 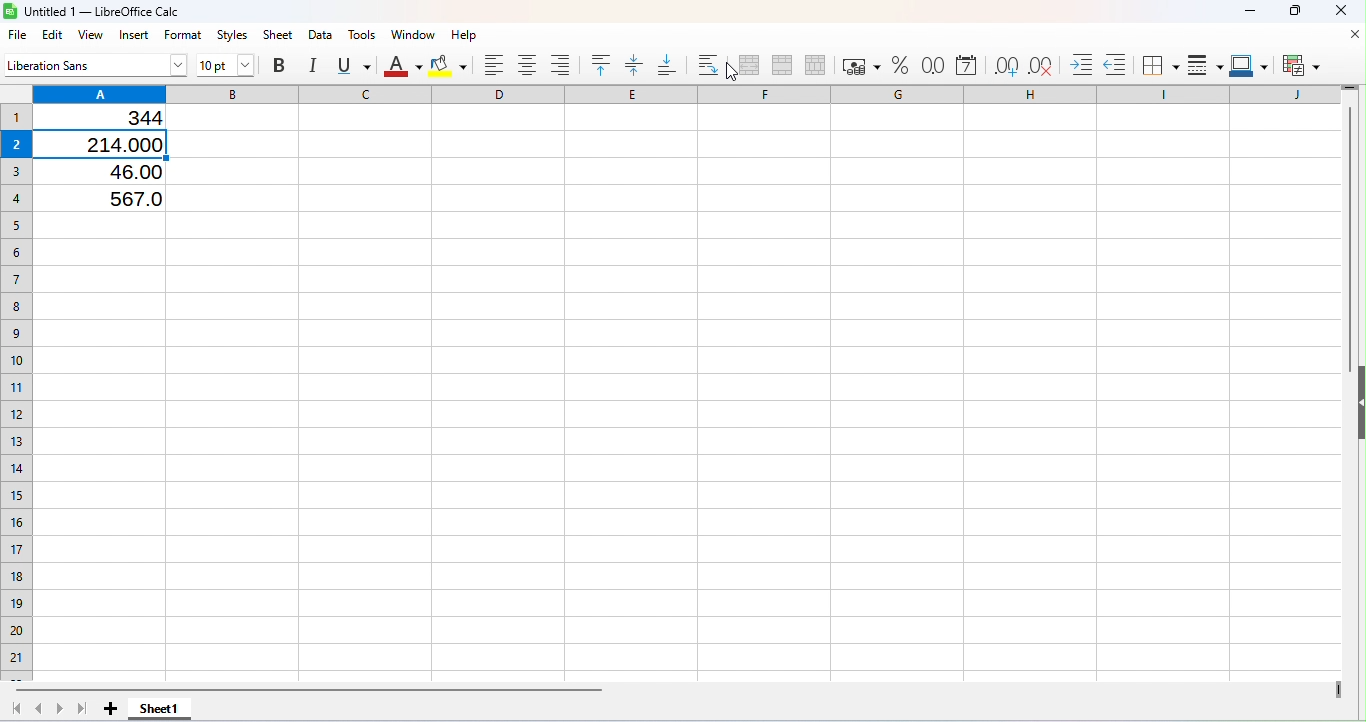 I want to click on Format as currency, so click(x=857, y=64).